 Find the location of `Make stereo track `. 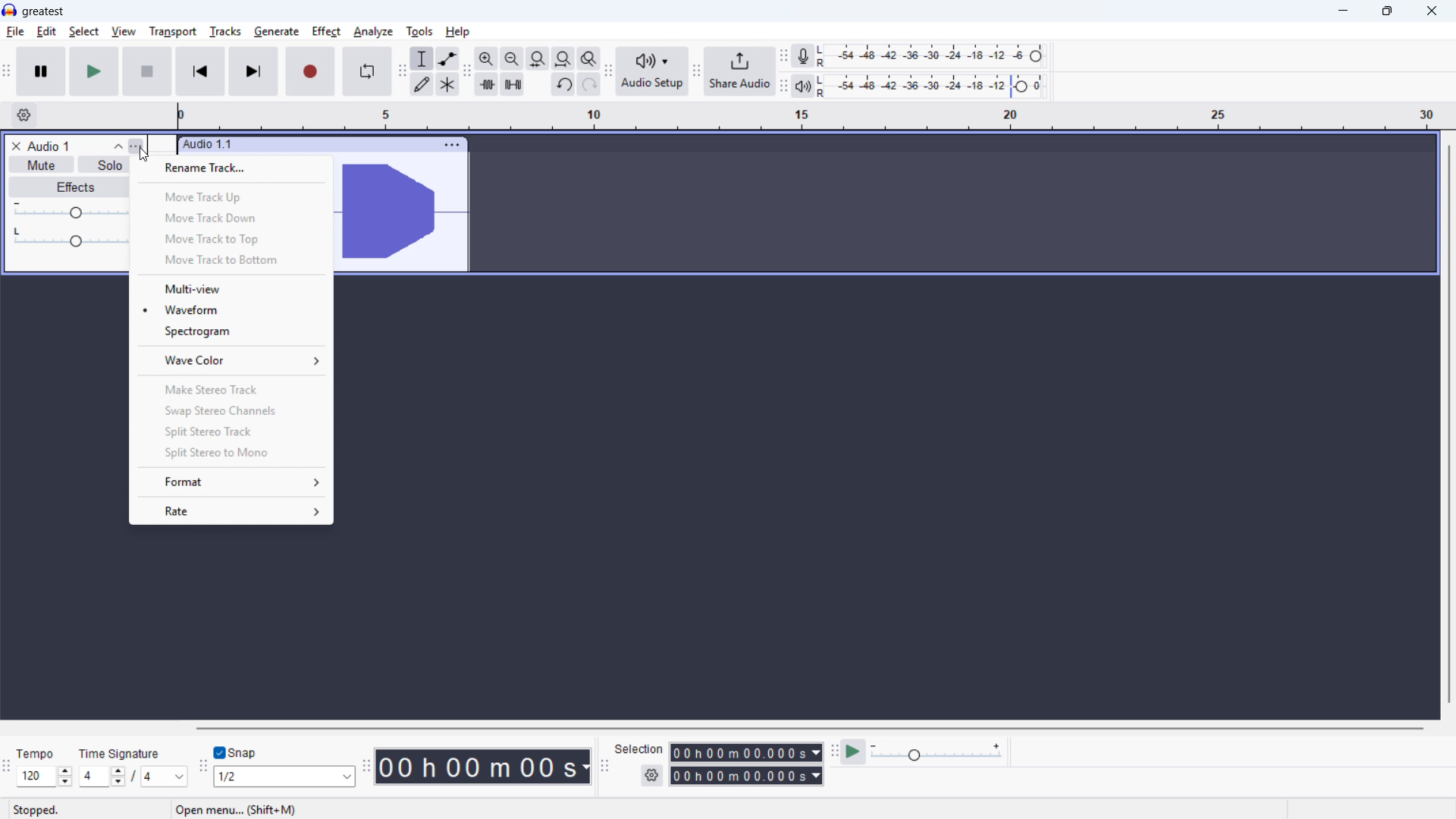

Make stereo track  is located at coordinates (231, 388).